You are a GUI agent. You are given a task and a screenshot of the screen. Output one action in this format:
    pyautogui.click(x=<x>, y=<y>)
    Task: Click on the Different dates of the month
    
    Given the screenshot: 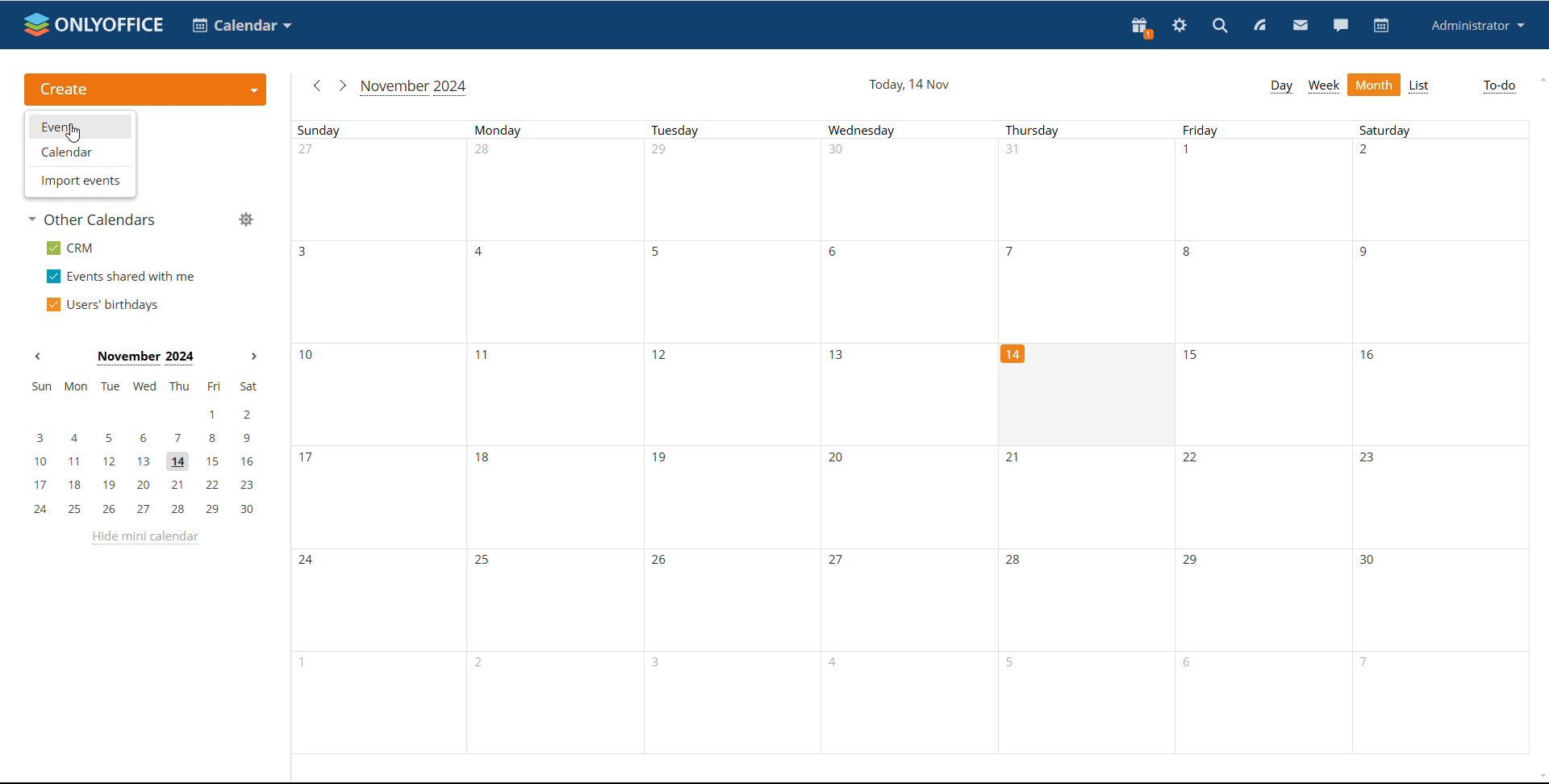 What is the action you would take?
    pyautogui.click(x=920, y=497)
    